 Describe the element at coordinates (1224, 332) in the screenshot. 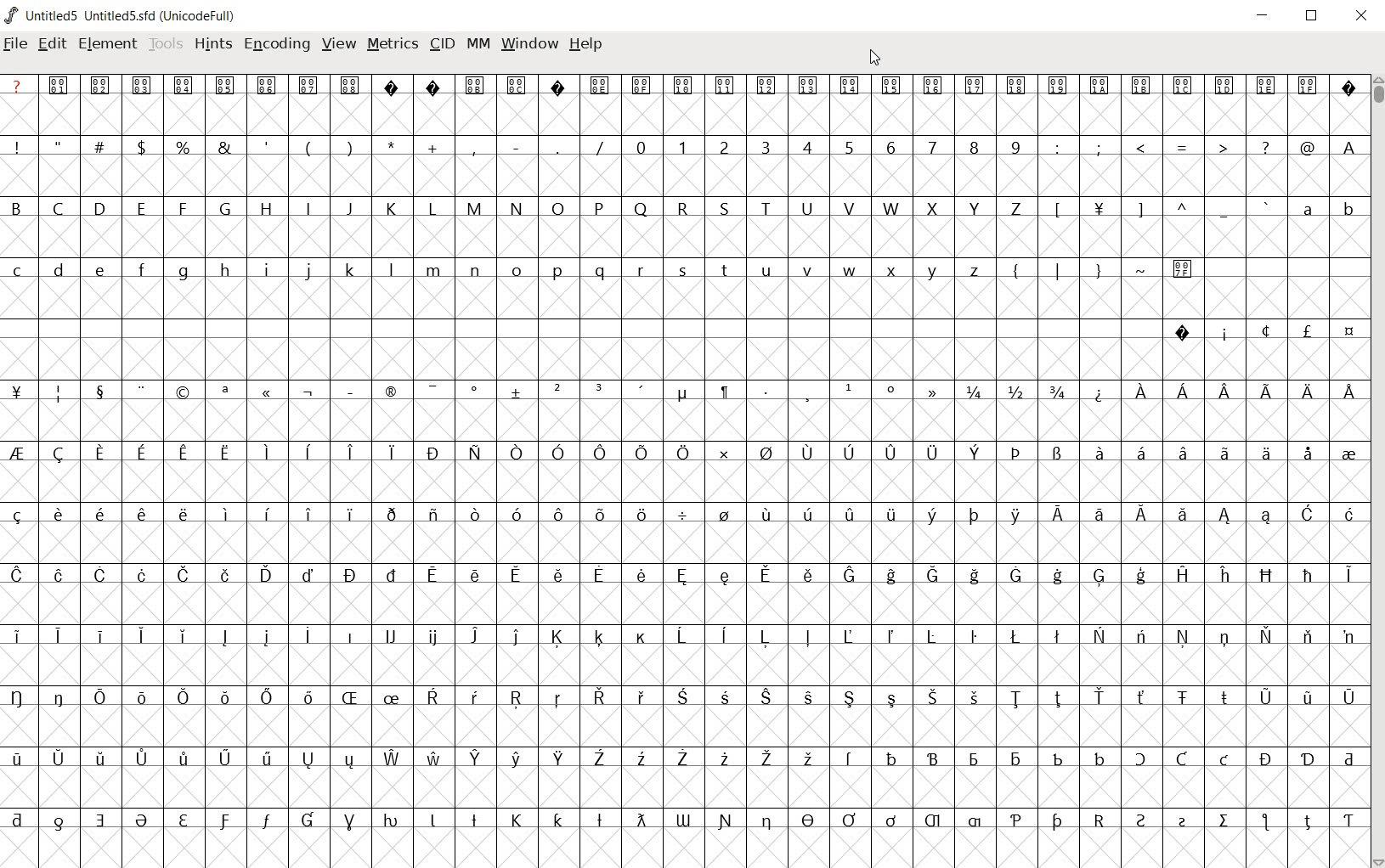

I see `Symbol` at that location.